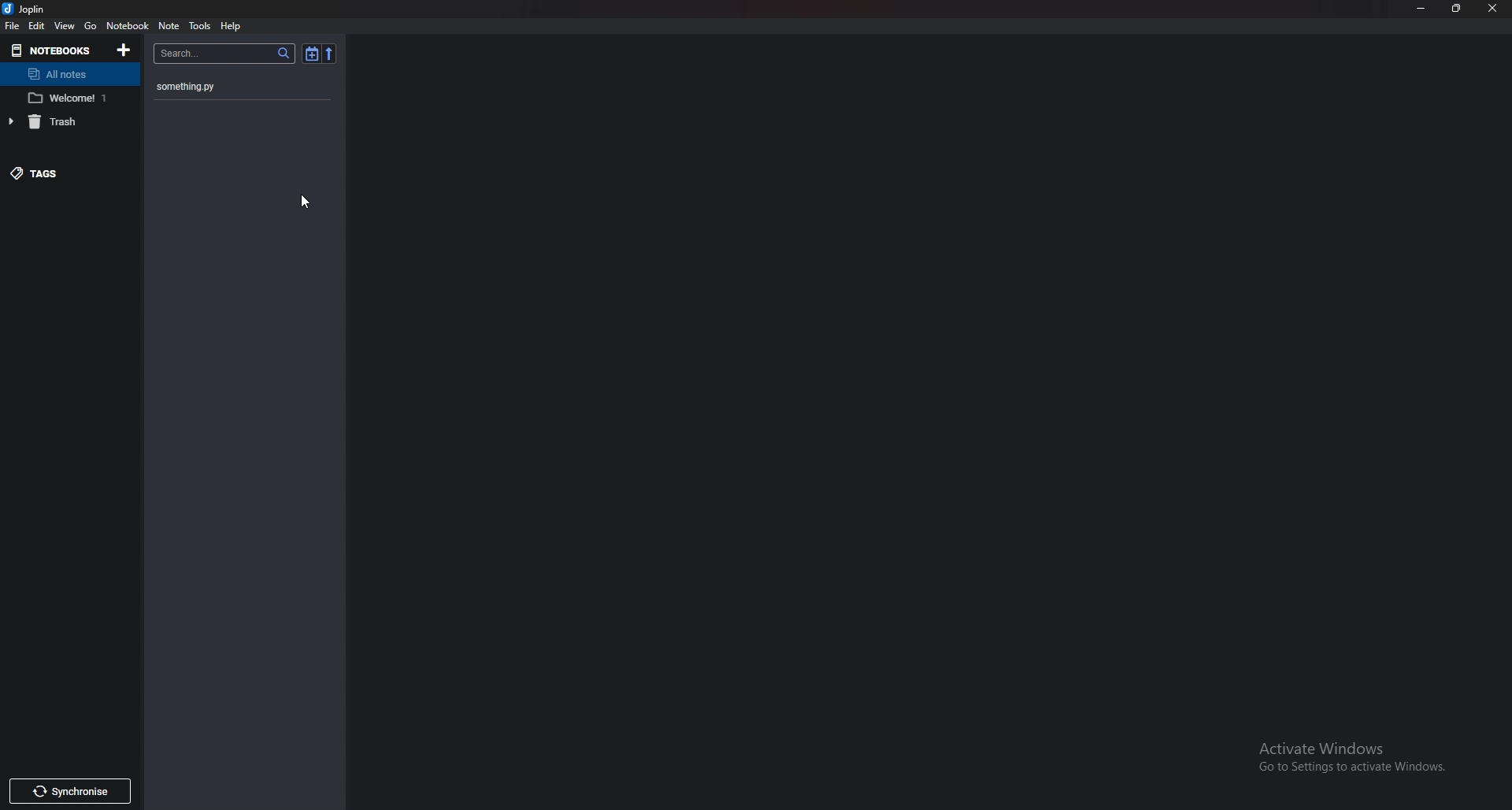 Image resolution: width=1512 pixels, height=810 pixels. What do you see at coordinates (169, 27) in the screenshot?
I see `note` at bounding box center [169, 27].